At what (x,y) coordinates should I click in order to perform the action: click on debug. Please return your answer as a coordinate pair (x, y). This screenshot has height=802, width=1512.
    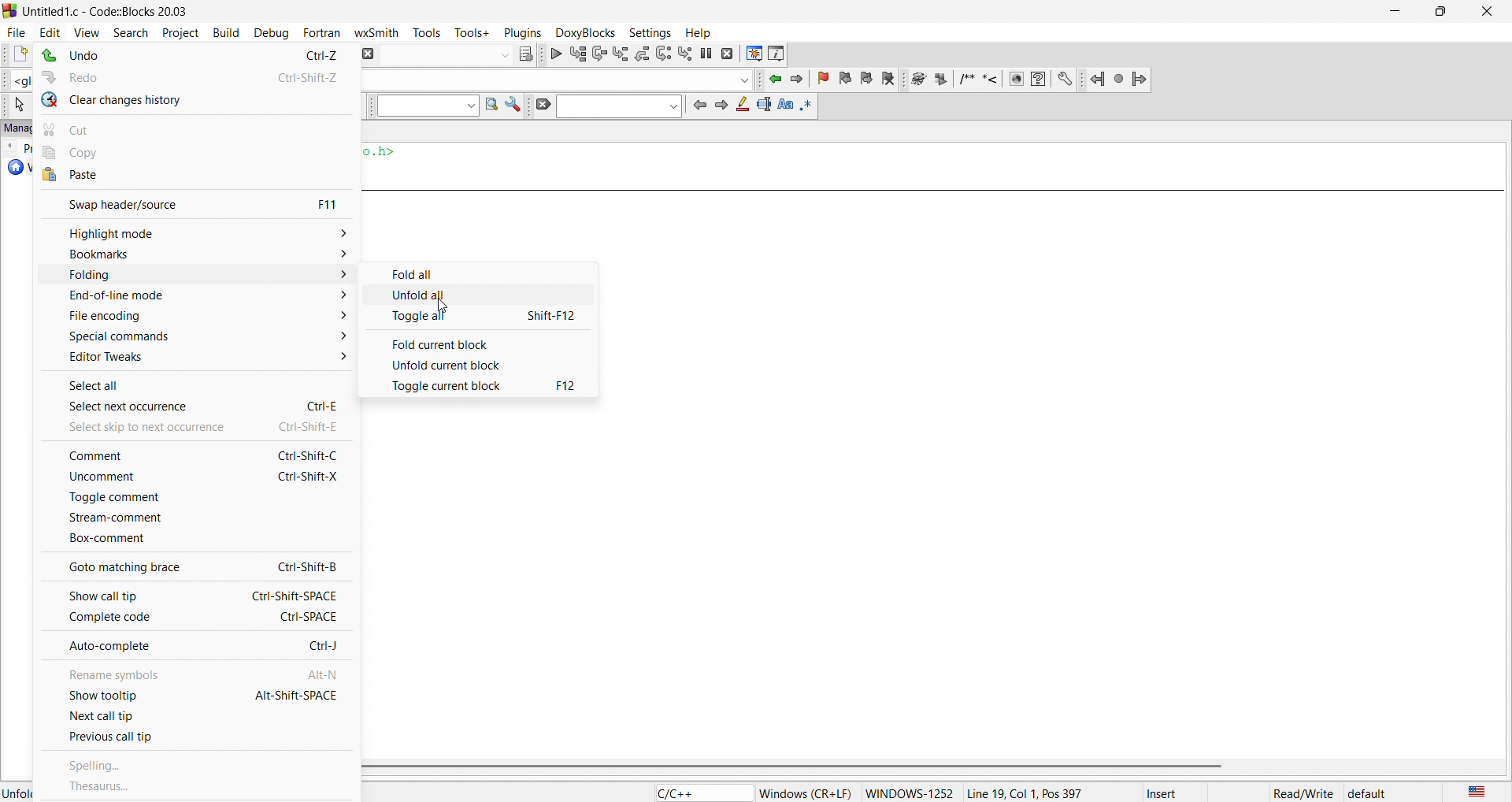
    Looking at the image, I should click on (269, 32).